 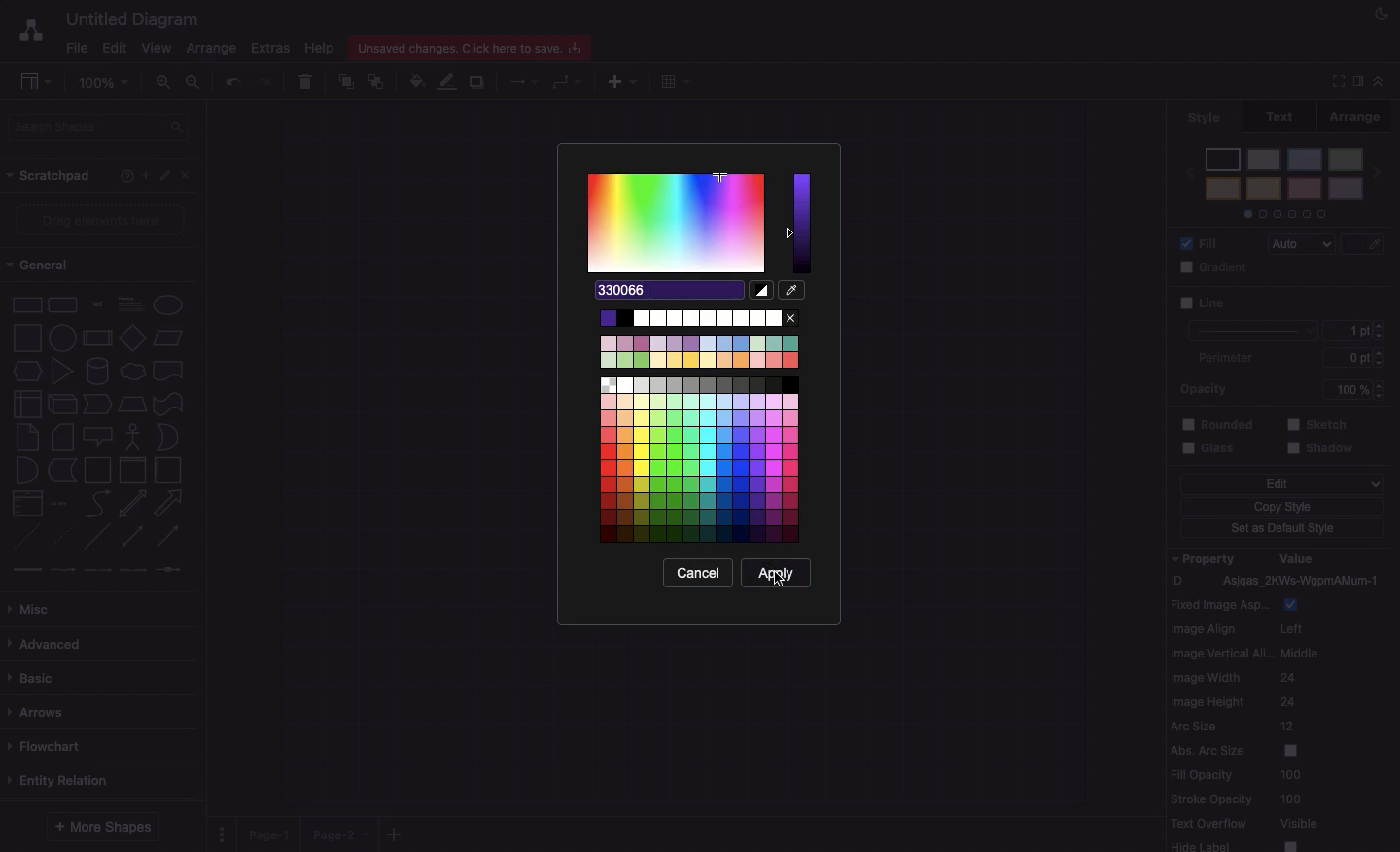 What do you see at coordinates (1246, 316) in the screenshot?
I see `Line` at bounding box center [1246, 316].